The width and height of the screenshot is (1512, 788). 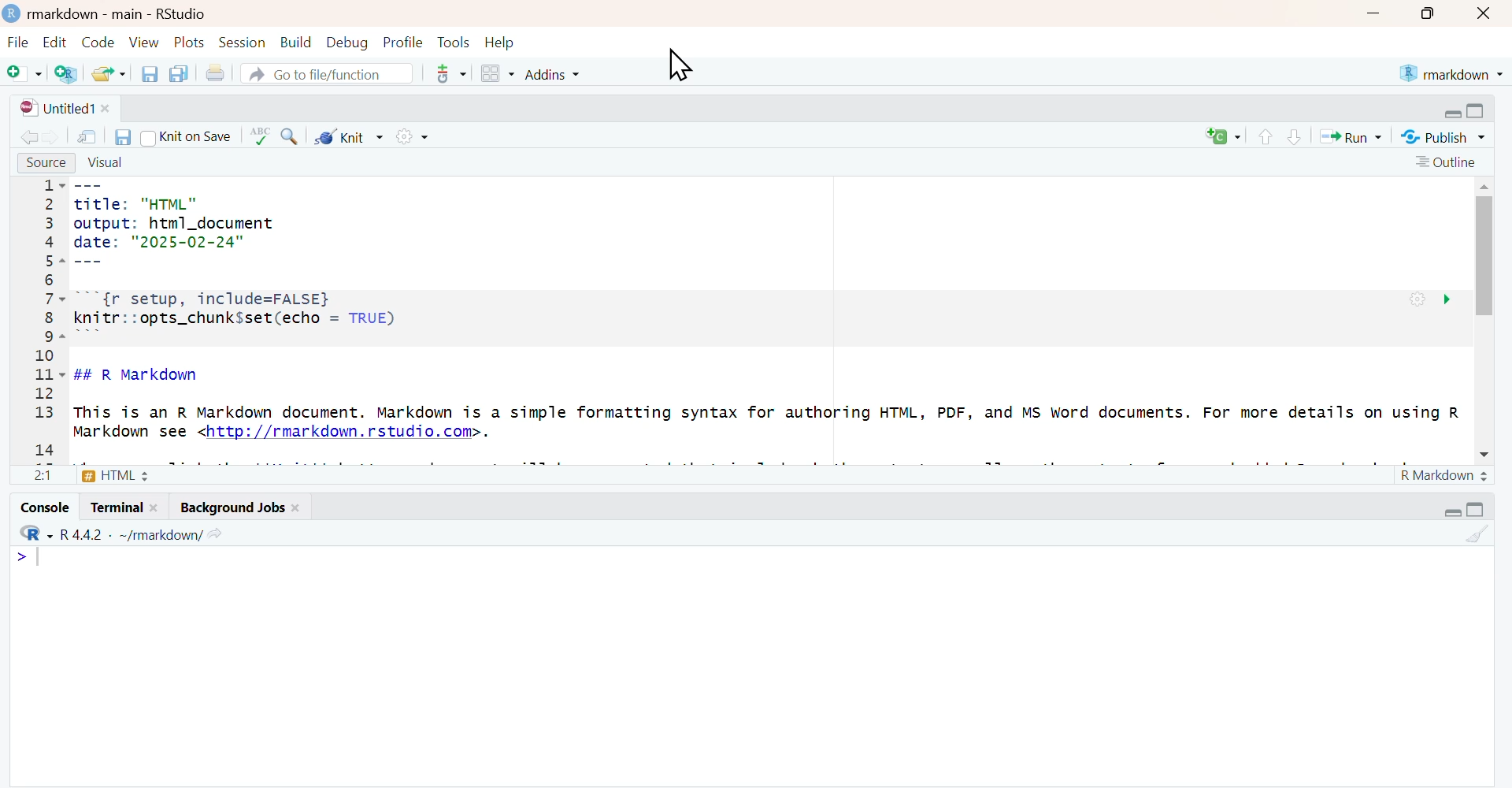 What do you see at coordinates (295, 43) in the screenshot?
I see `Build` at bounding box center [295, 43].